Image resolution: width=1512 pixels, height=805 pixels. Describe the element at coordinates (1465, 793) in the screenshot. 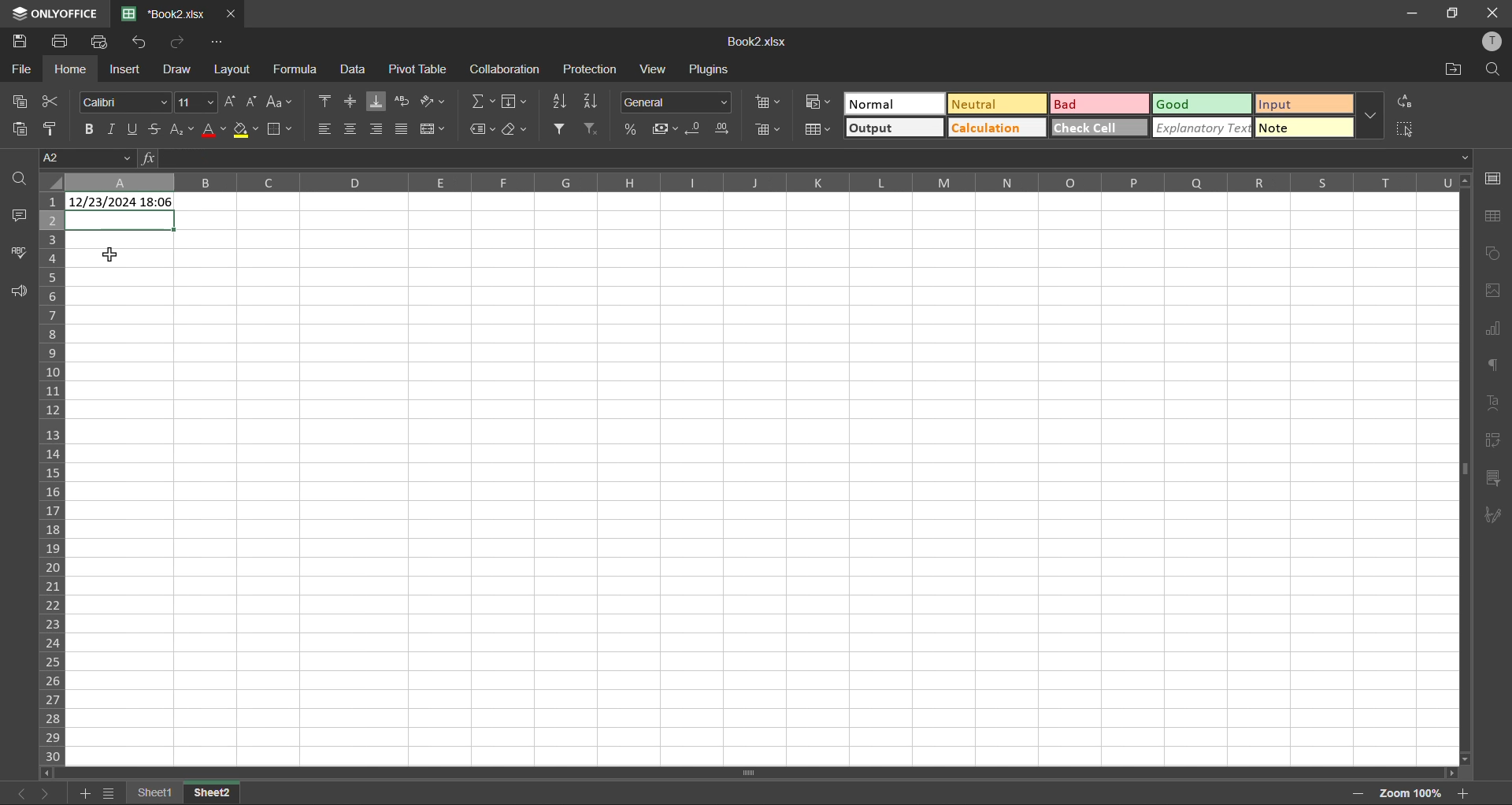

I see `zoom in ` at that location.